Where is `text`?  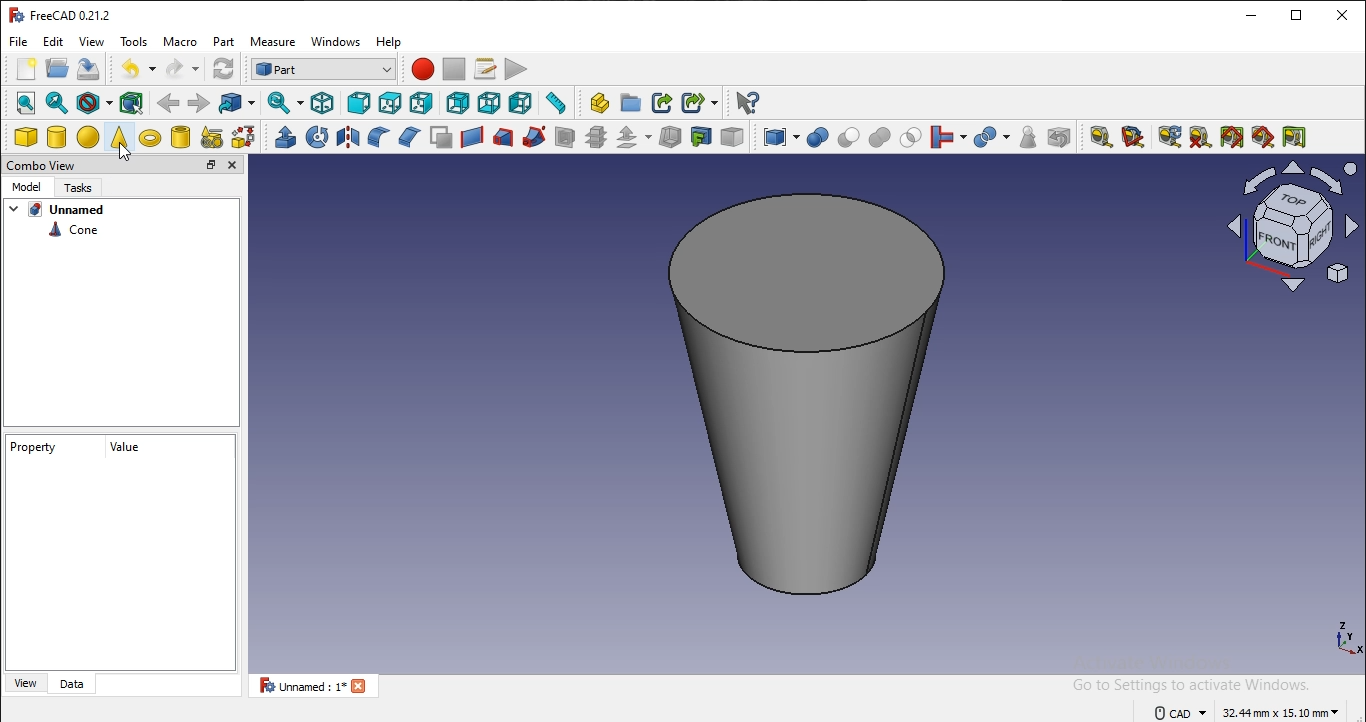
text is located at coordinates (67, 17).